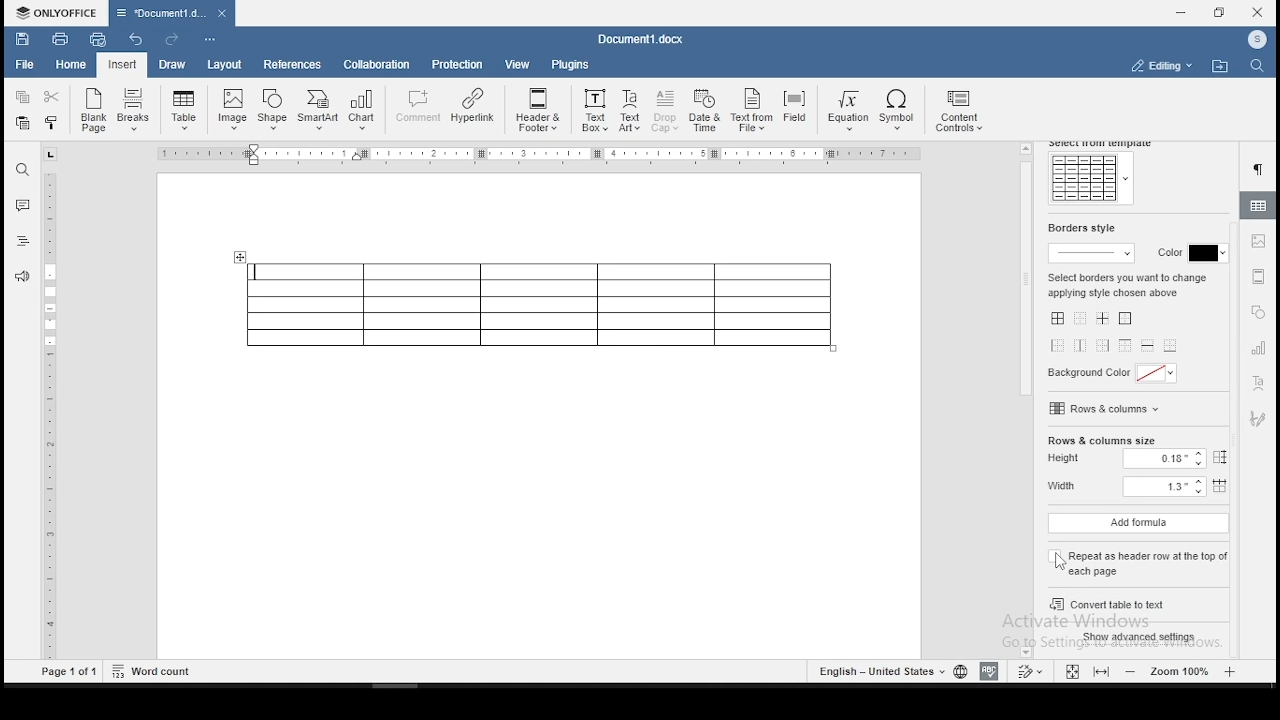 The height and width of the screenshot is (720, 1280). I want to click on outer top border only, so click(1124, 347).